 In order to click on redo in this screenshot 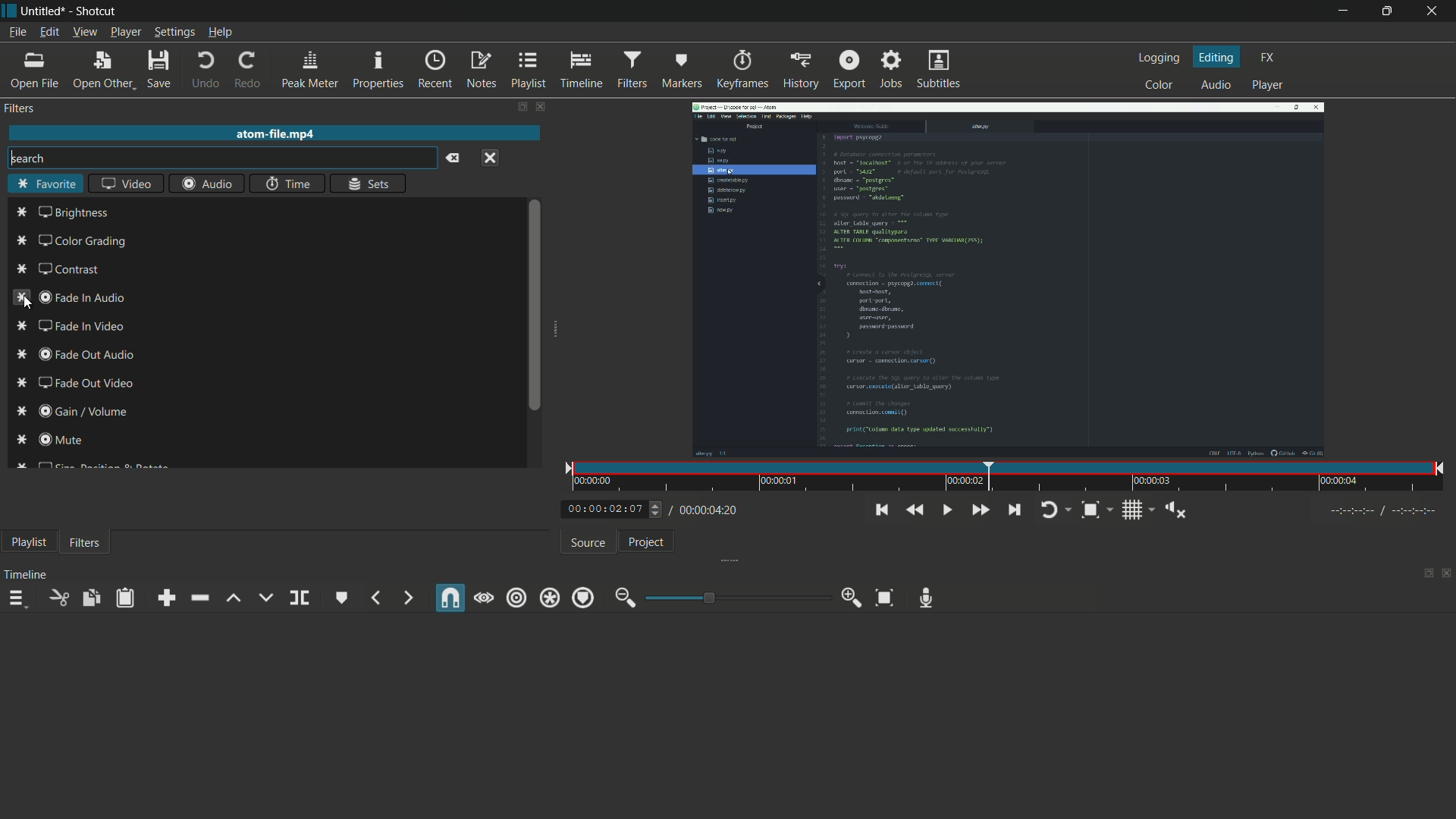, I will do `click(246, 71)`.